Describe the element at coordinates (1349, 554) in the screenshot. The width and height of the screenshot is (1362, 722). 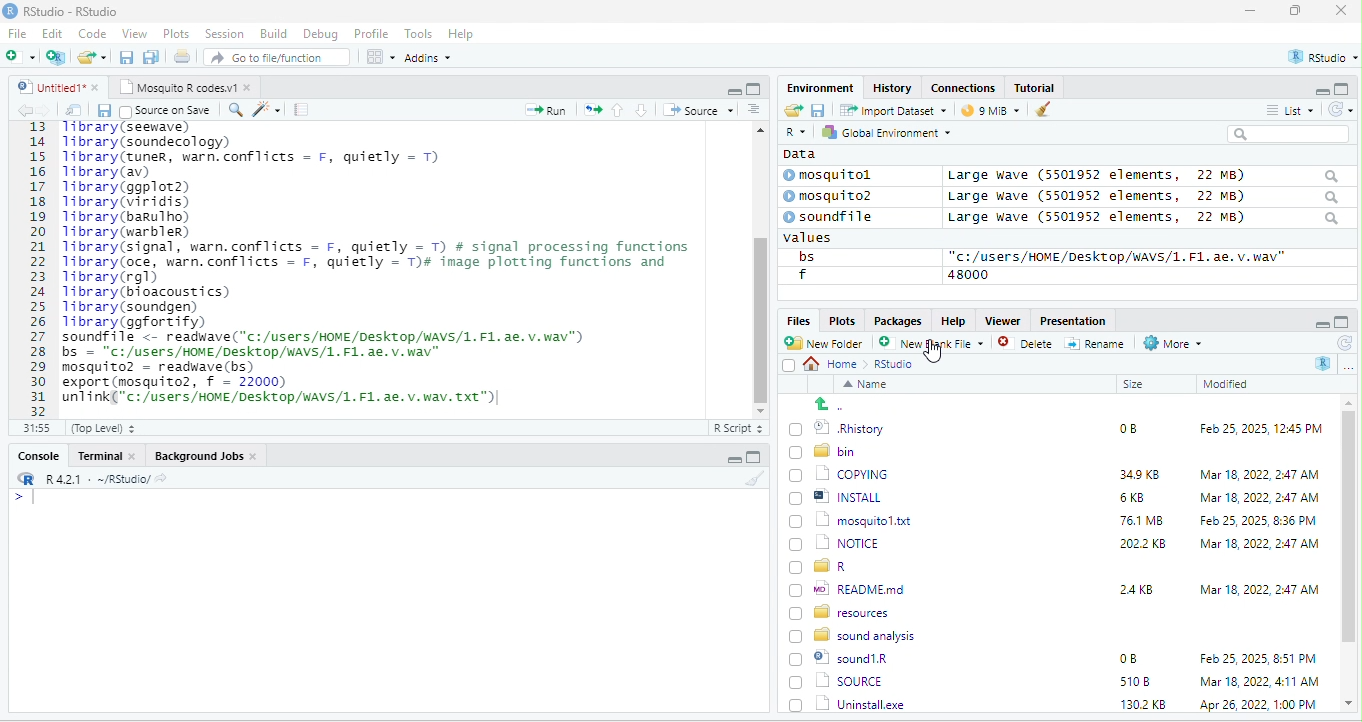
I see `scroll bar` at that location.